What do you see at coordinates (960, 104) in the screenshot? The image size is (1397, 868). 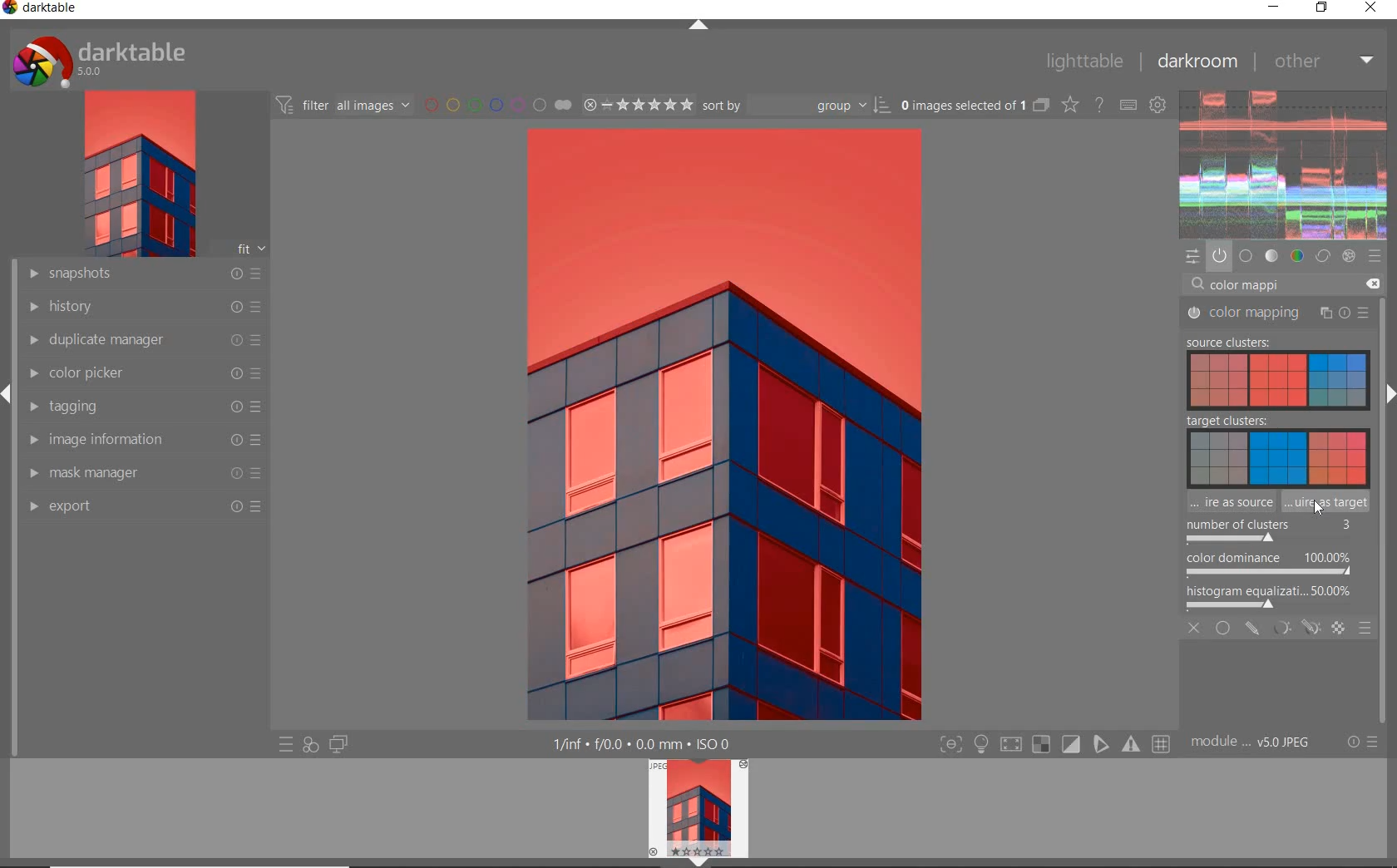 I see `selected images` at bounding box center [960, 104].